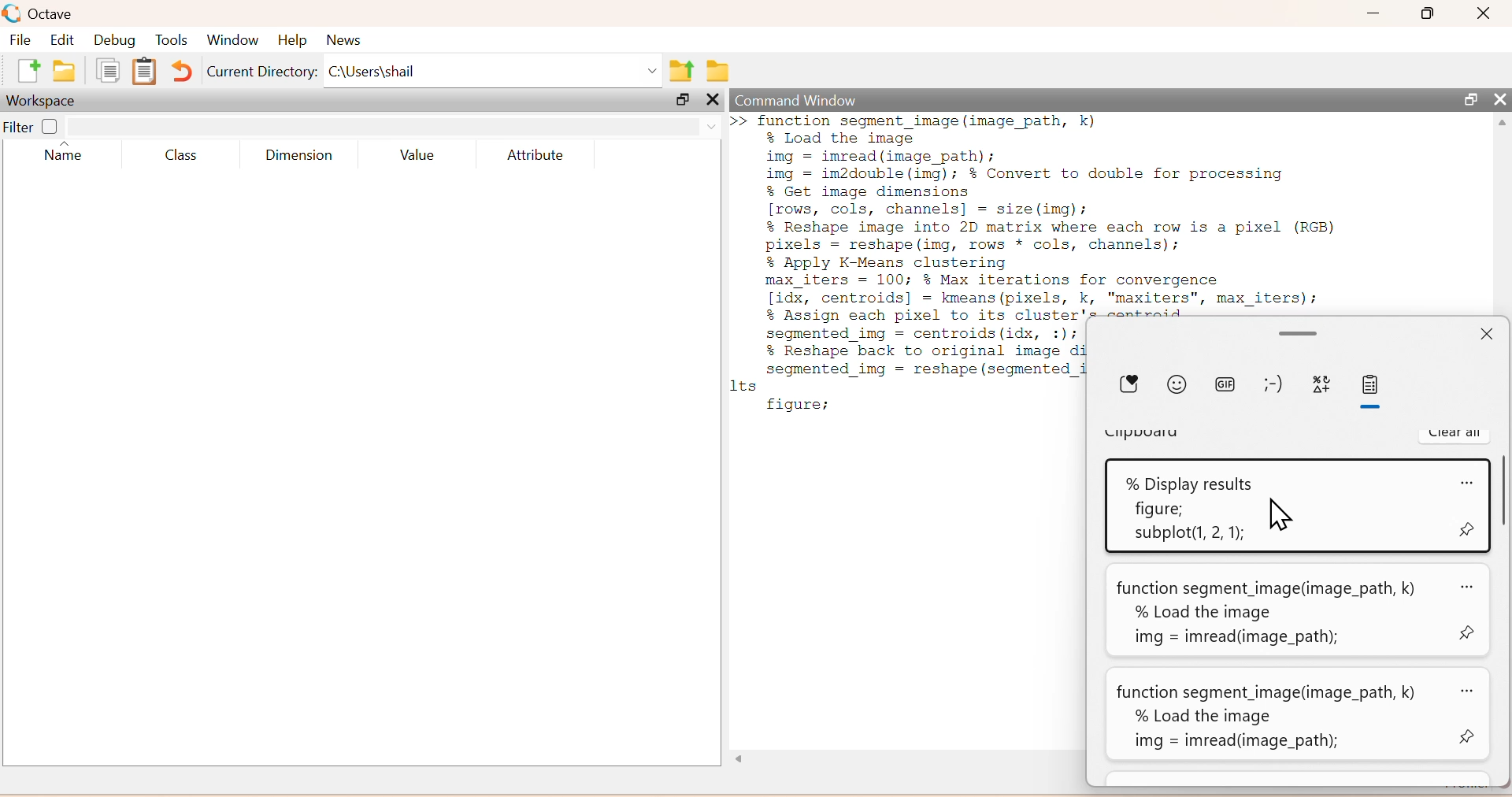 The image size is (1512, 797). What do you see at coordinates (1430, 13) in the screenshot?
I see `Maximize` at bounding box center [1430, 13].